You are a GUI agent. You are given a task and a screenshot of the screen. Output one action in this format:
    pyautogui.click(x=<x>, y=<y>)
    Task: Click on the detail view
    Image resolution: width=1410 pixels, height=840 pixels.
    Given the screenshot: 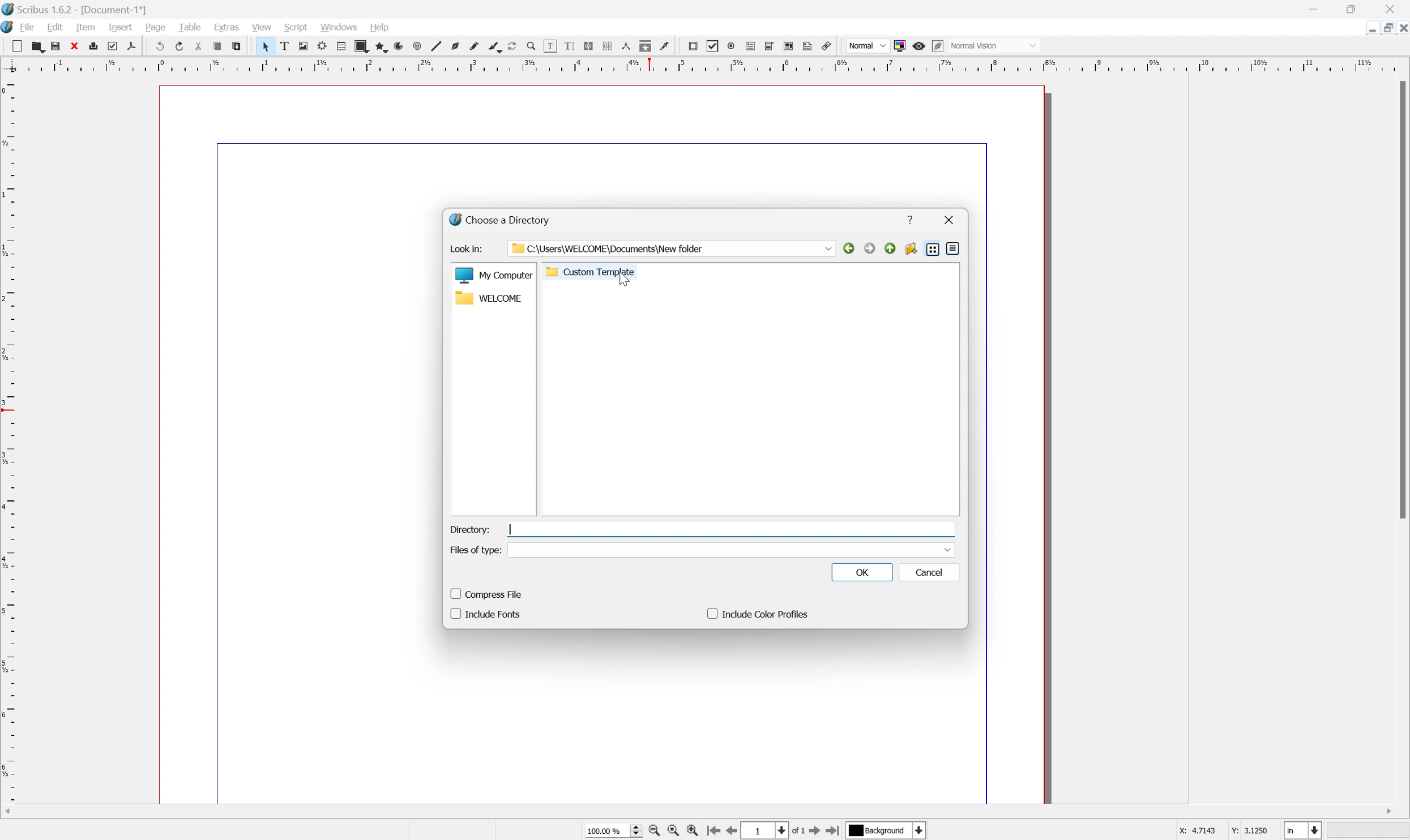 What is the action you would take?
    pyautogui.click(x=955, y=250)
    